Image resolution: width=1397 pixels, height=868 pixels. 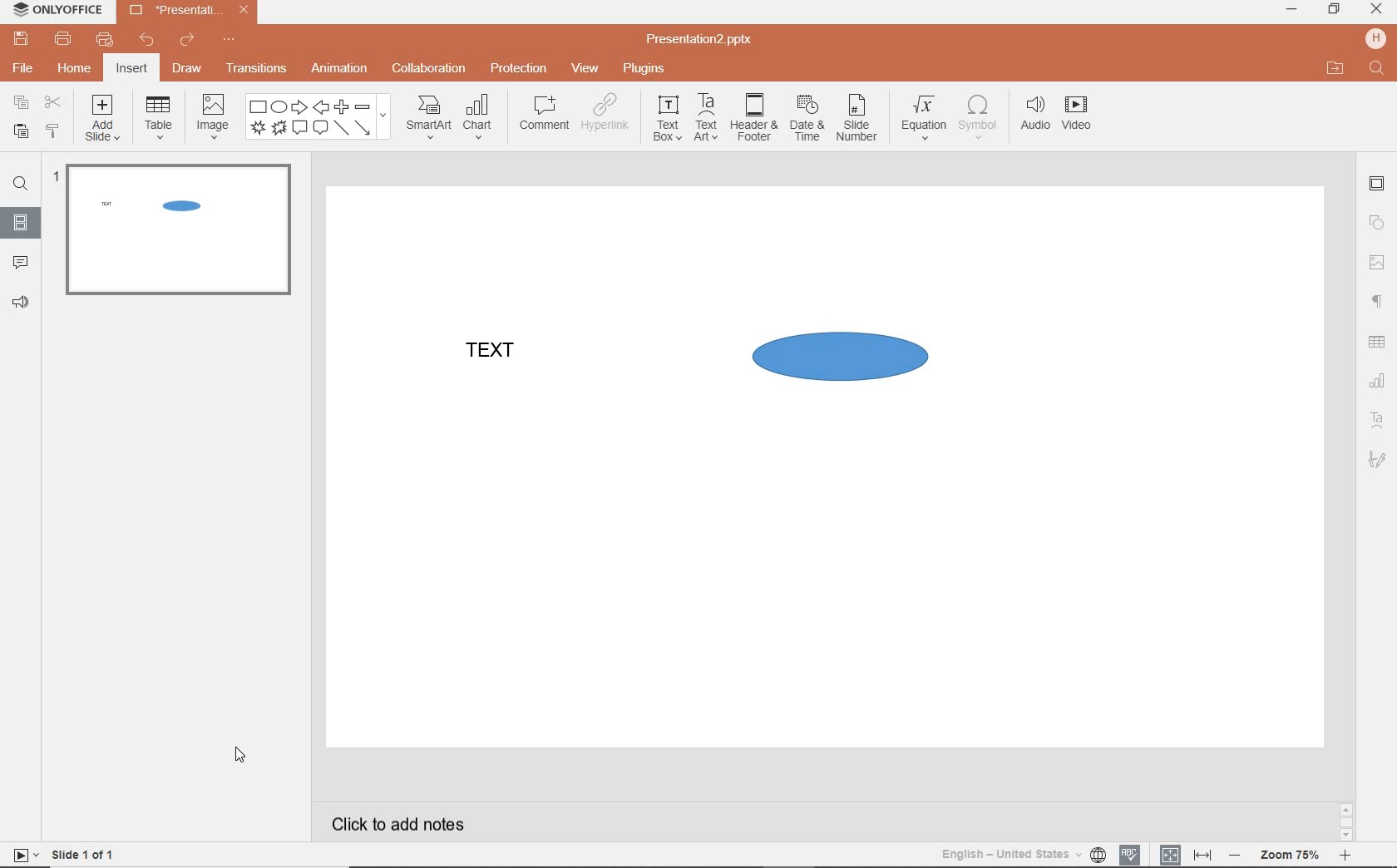 I want to click on copy, so click(x=21, y=102).